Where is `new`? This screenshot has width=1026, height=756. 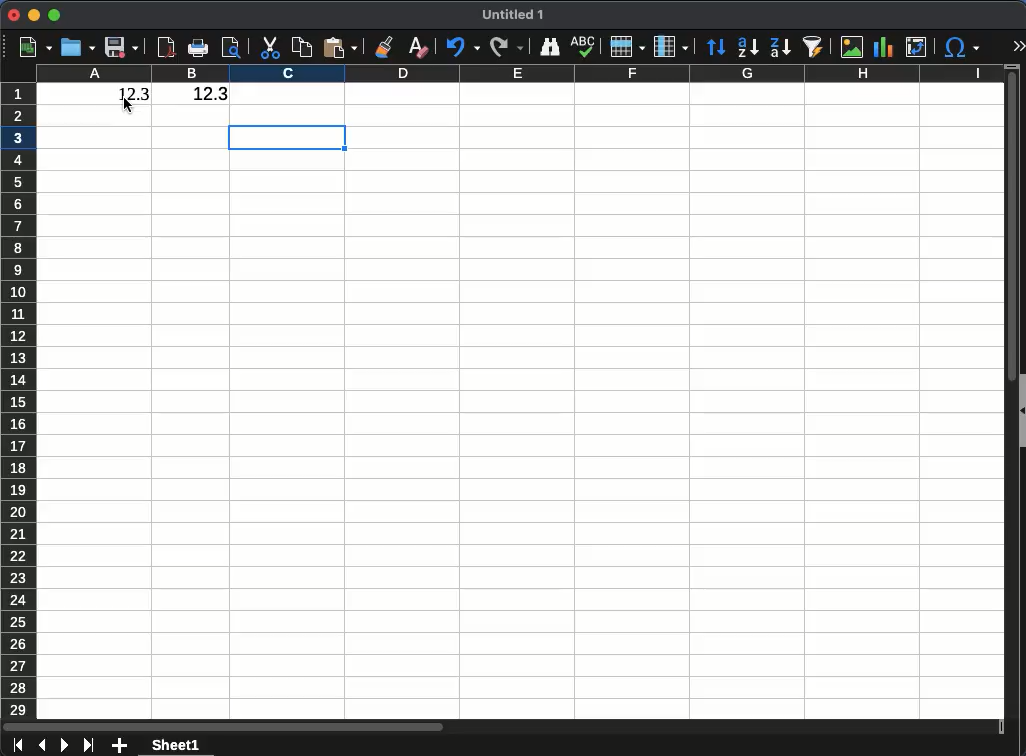 new is located at coordinates (35, 47).